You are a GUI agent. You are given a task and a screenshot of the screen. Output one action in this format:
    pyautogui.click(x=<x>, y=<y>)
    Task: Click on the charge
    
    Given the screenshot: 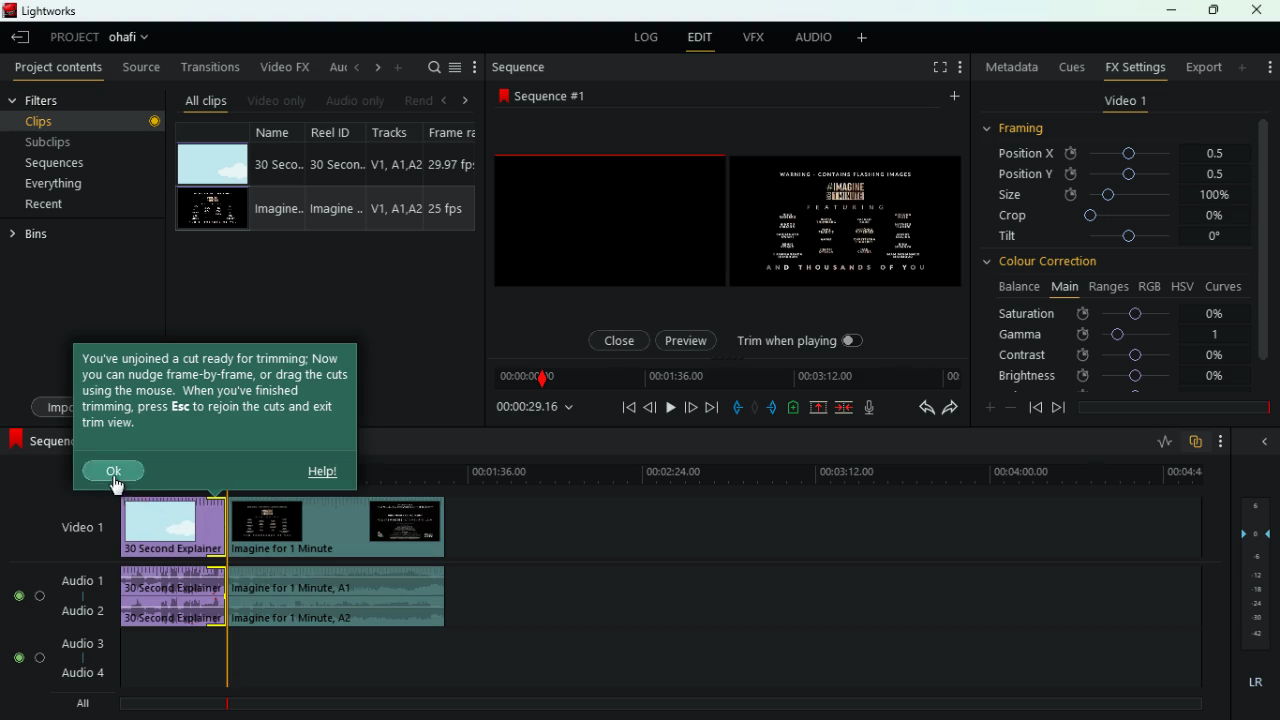 What is the action you would take?
    pyautogui.click(x=794, y=408)
    